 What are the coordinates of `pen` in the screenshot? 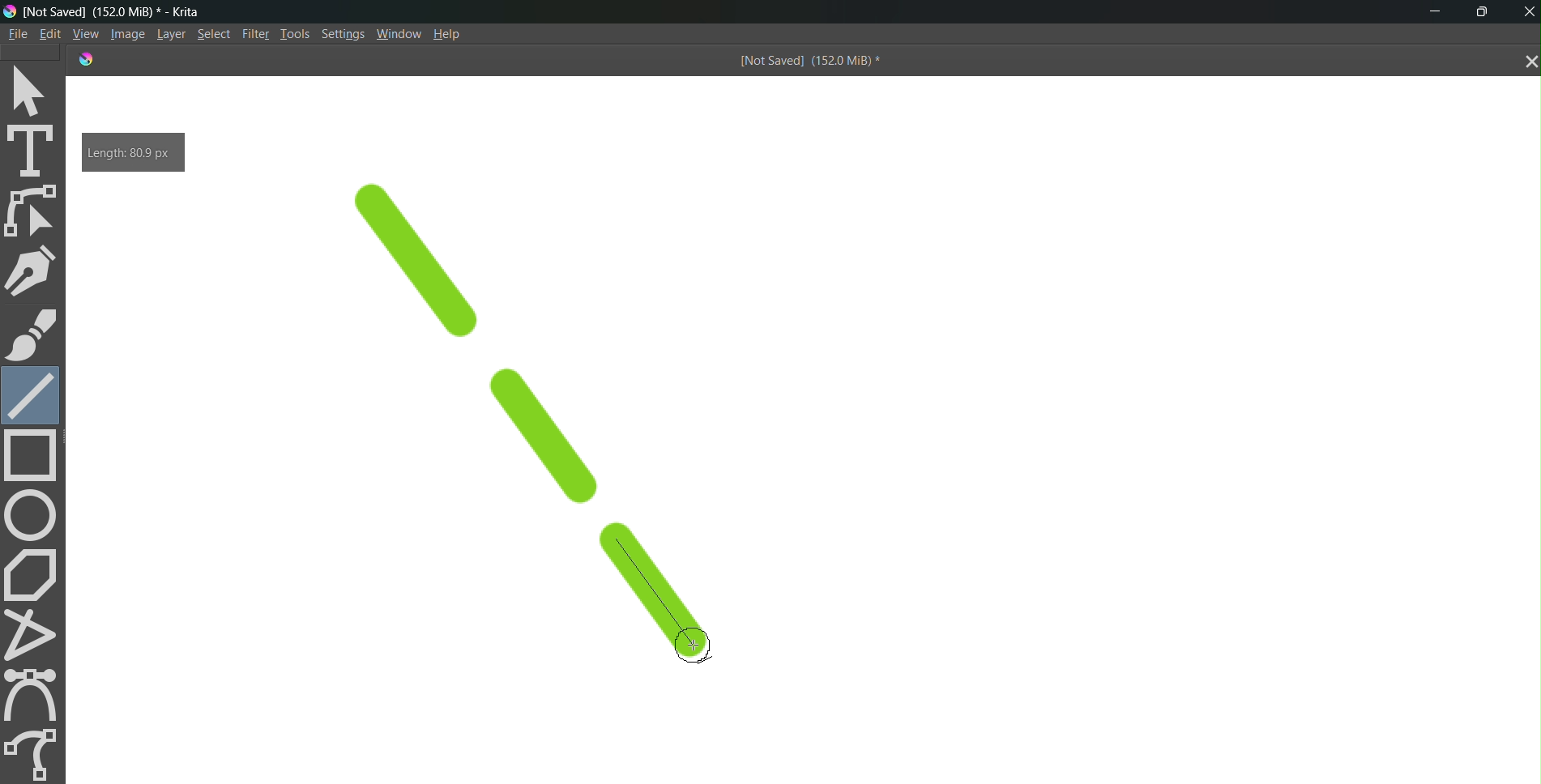 It's located at (35, 271).